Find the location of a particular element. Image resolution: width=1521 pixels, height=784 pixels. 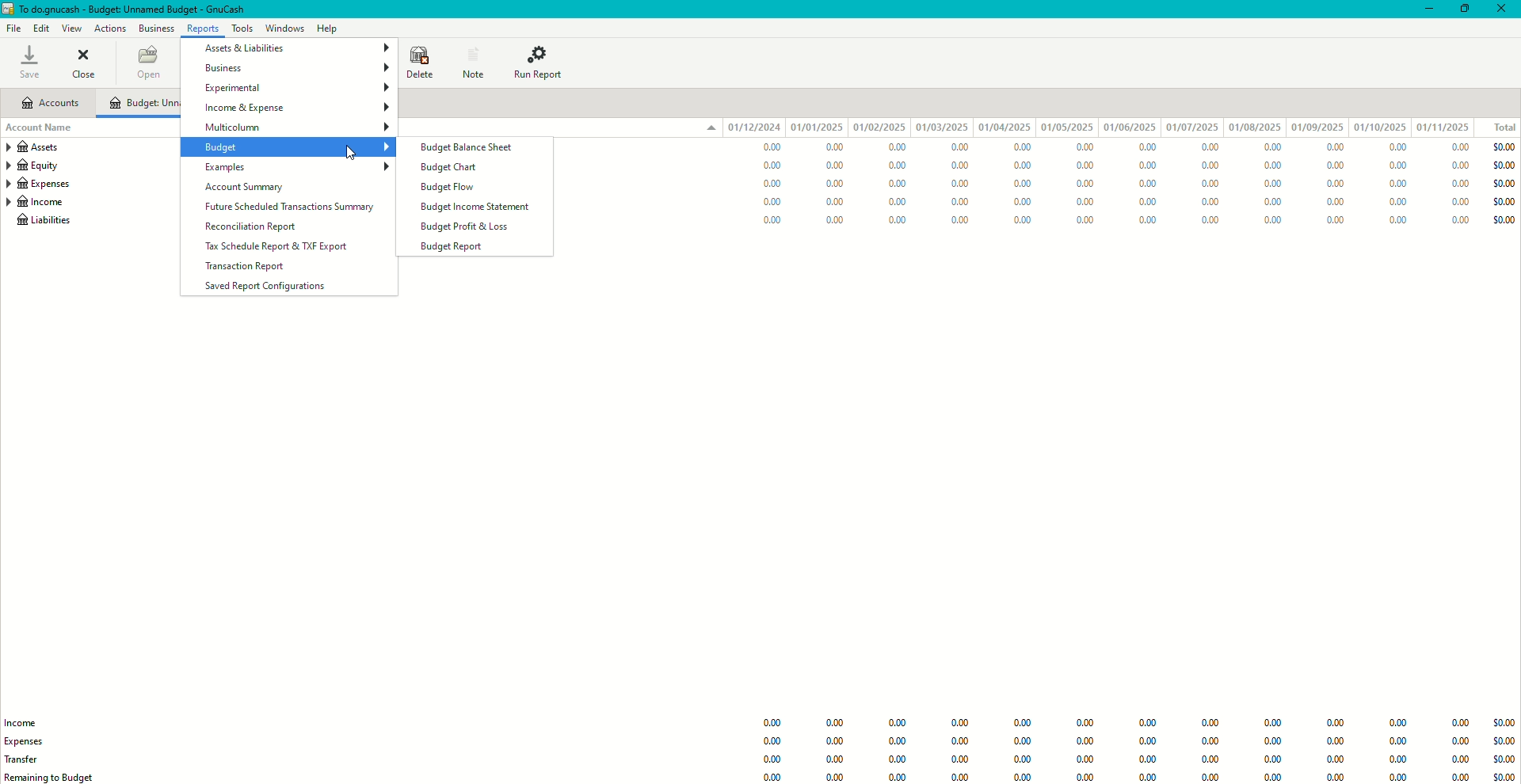

0.00 is located at coordinates (1085, 149).